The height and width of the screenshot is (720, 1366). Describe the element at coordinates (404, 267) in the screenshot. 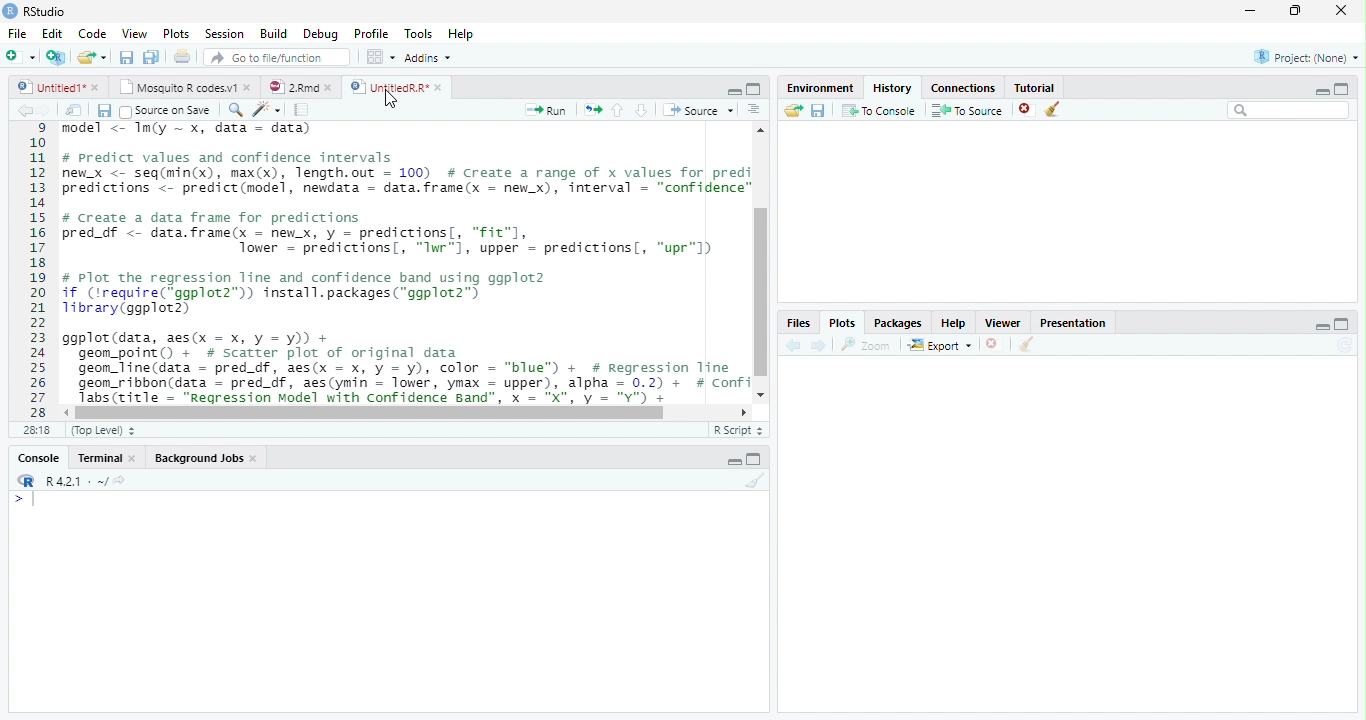

I see `#predict values and confidence intervalsew_x <- seq(min(x), max(x), length.out = 100) # Create a range of x values for prediredictions <- predict(model, newdata = data.frame(x = new_x), interval = “confidence”/ Create a data frame for predictionsred_df <- data.frame(x - newx, y = predictions[, "fit"],Tower = predictions, “Iwr"1, upper = predictions, “upr"l)Plot the regression line and confidence band using ggplot2f (irequire(*ggplot2”)) install.packages(“ggplot2”)ibrary(ggplot2)gplot (data, aes(x = x, y = y)) +geom_point() + # scatter plot of original datageon_line(data = pred_df, aes(x = x, y = y), color = “blue”) + # Regression Tinegeom_ribbon(data = pred_df, aes(ymin = lower, ymax = upper), alpha = 0.2) + # ConfiTabs(title = “Regression Model with Confidence Band", x = "X", y = "Y") +SESS(LITIE = WN -` at that location.